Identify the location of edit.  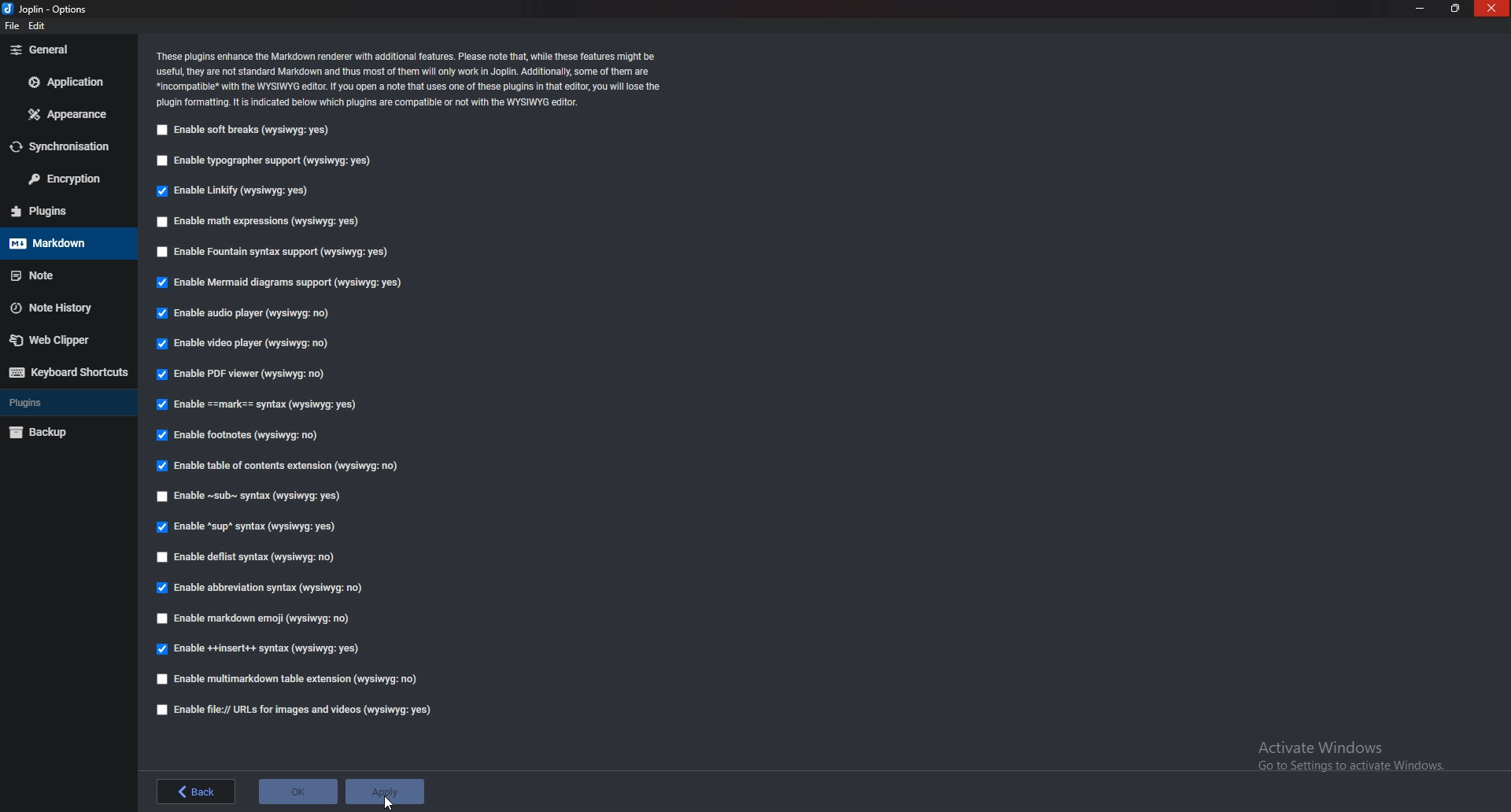
(39, 27).